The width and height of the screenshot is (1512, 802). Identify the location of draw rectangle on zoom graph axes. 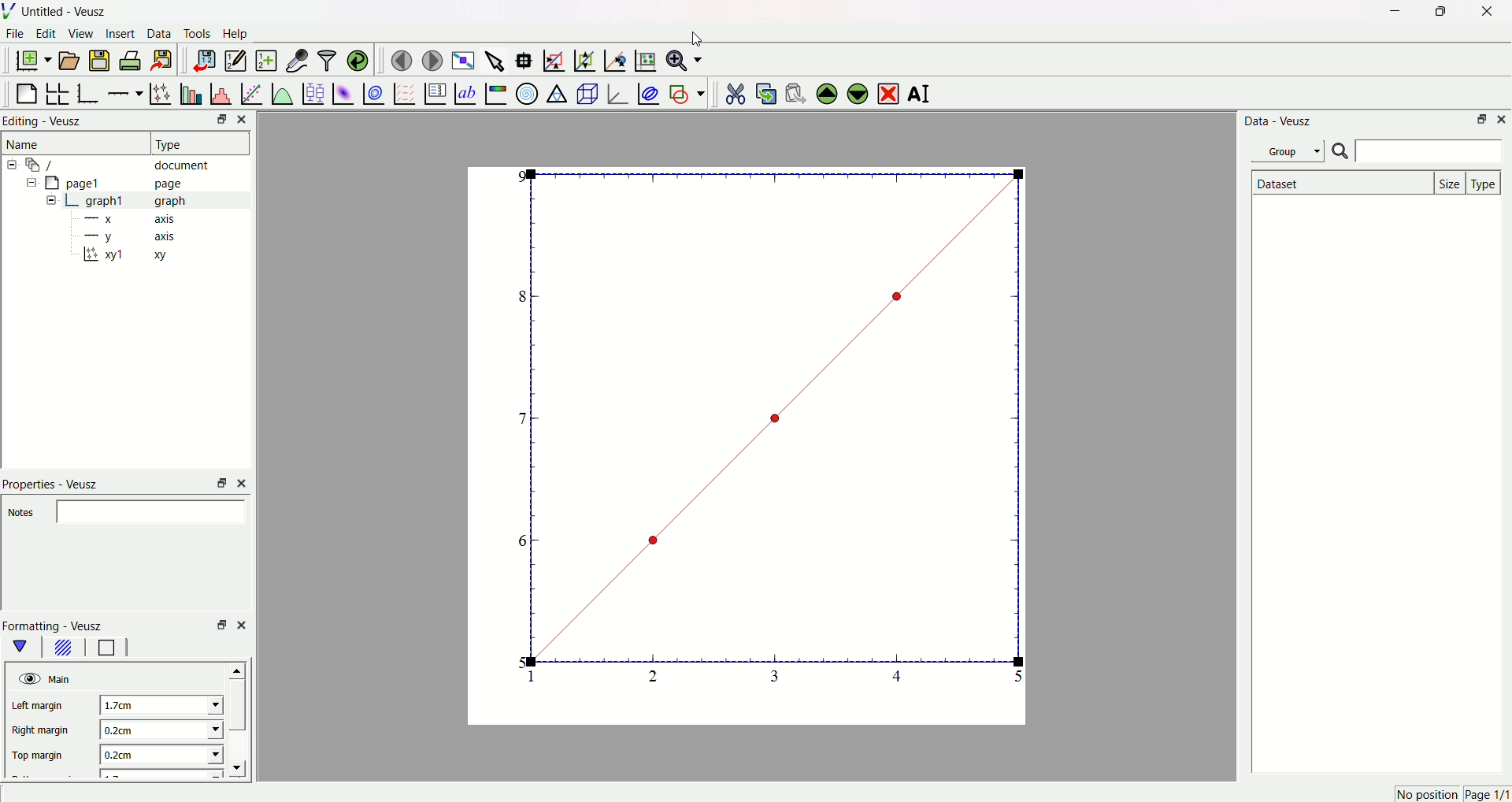
(554, 58).